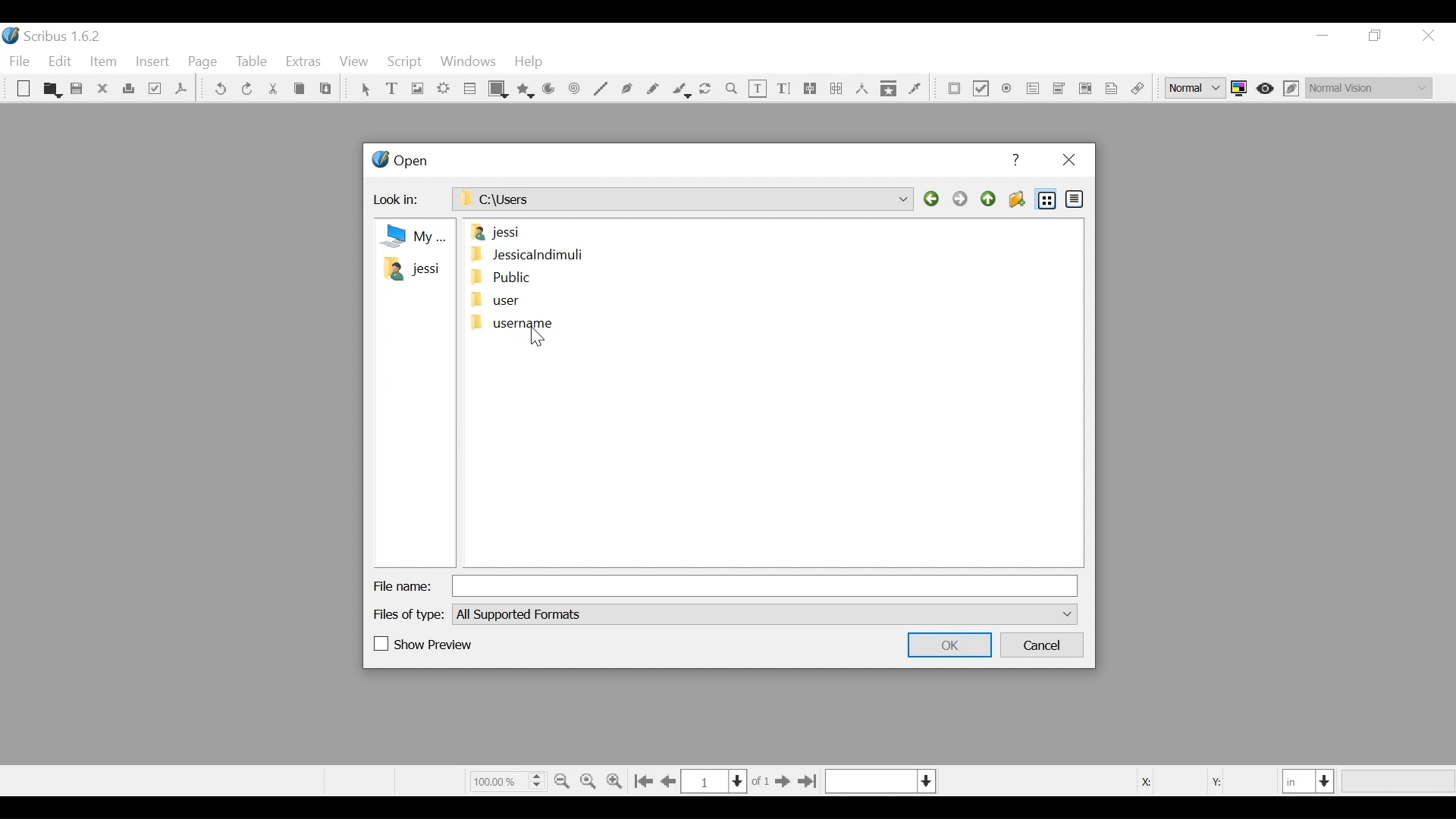 The image size is (1456, 819). What do you see at coordinates (563, 780) in the screenshot?
I see `Zoom out` at bounding box center [563, 780].